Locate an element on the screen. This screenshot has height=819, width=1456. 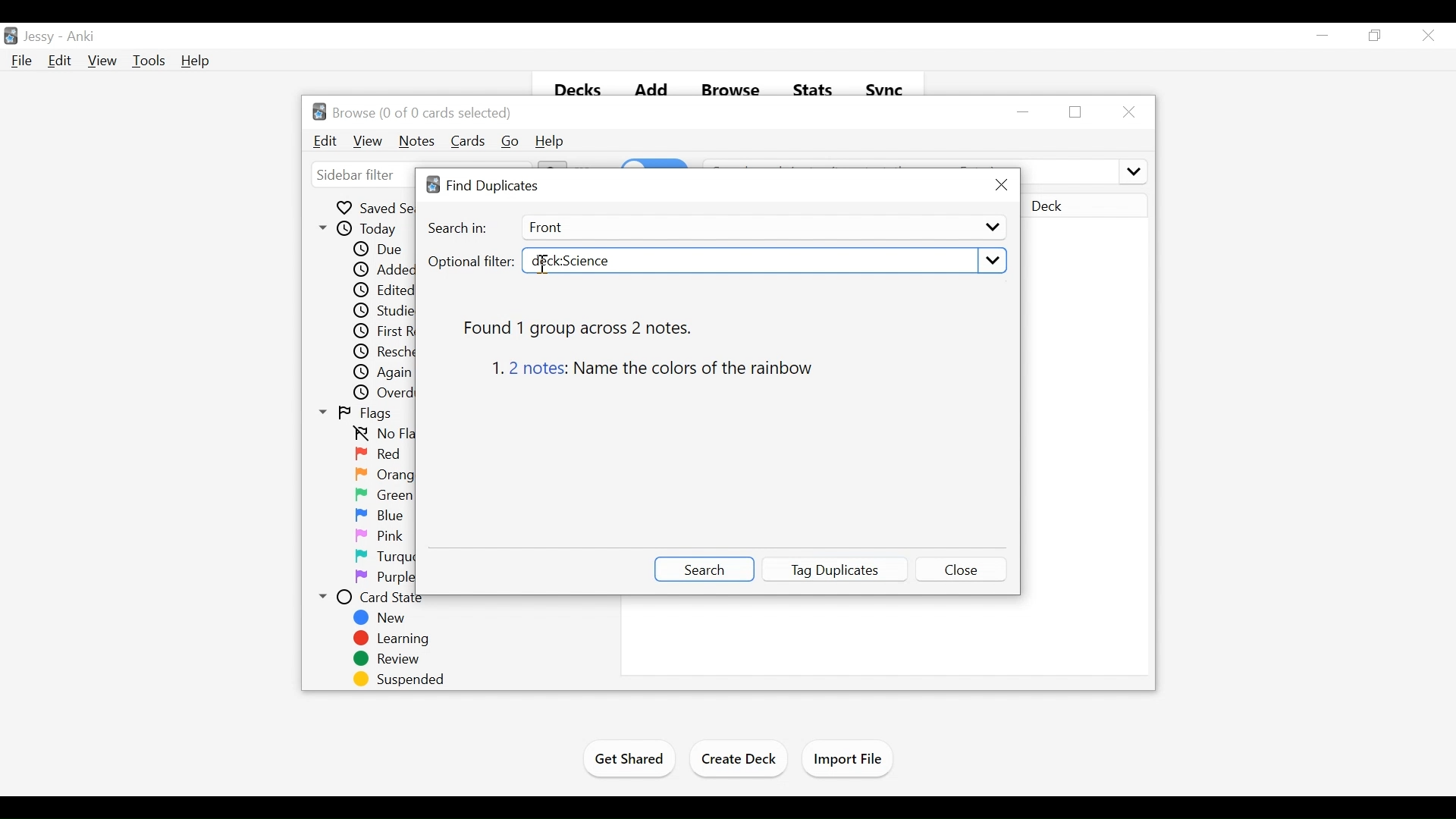
Optional Filter is located at coordinates (470, 262).